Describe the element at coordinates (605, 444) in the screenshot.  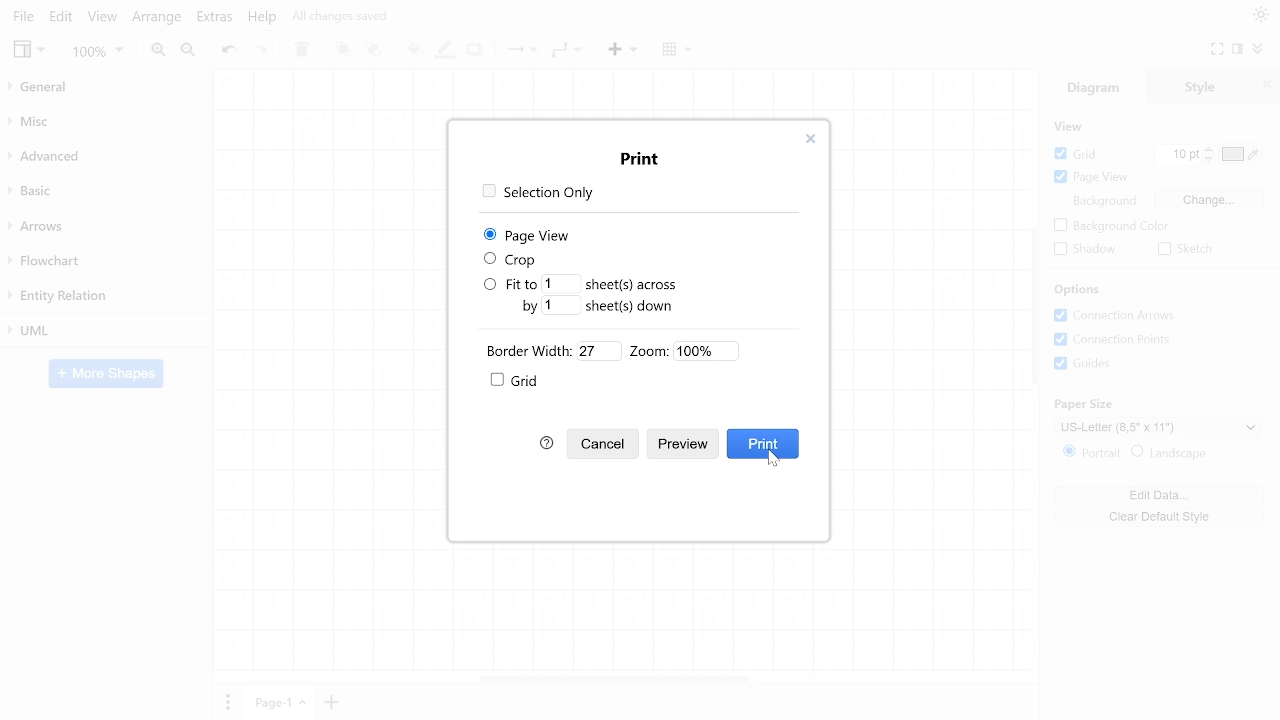
I see `Cancel` at that location.